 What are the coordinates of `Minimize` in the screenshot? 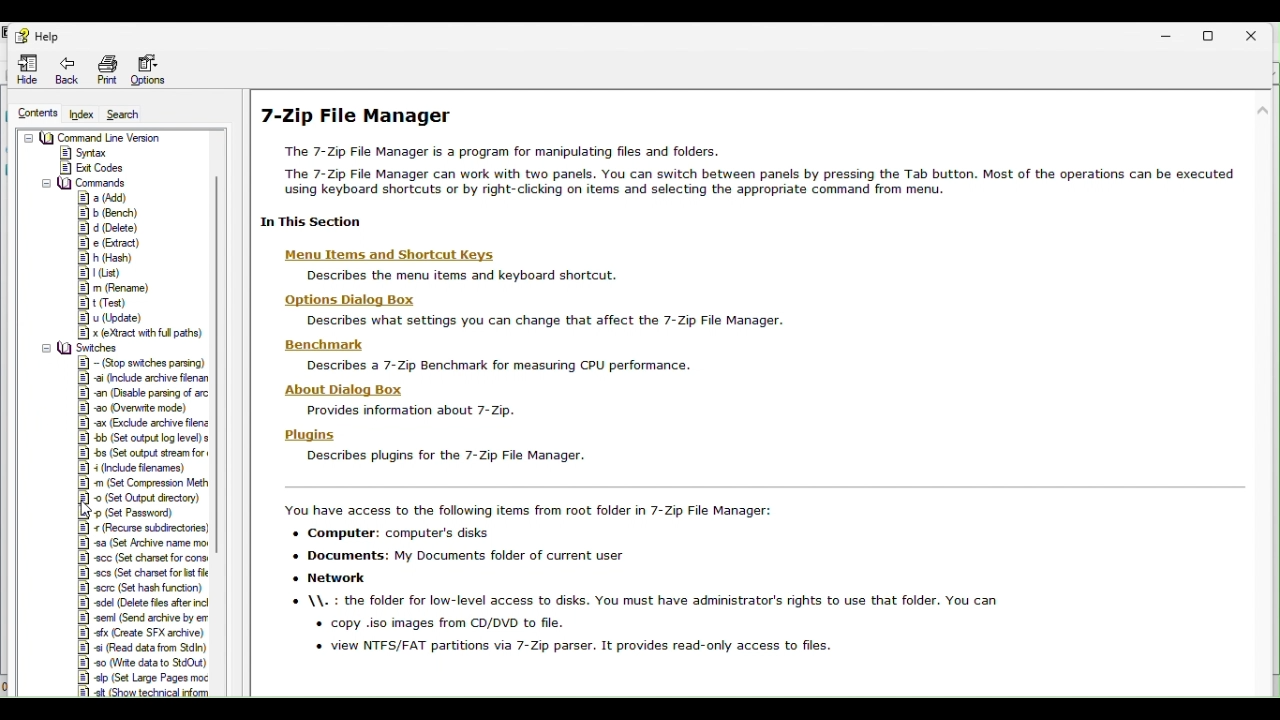 It's located at (1176, 33).